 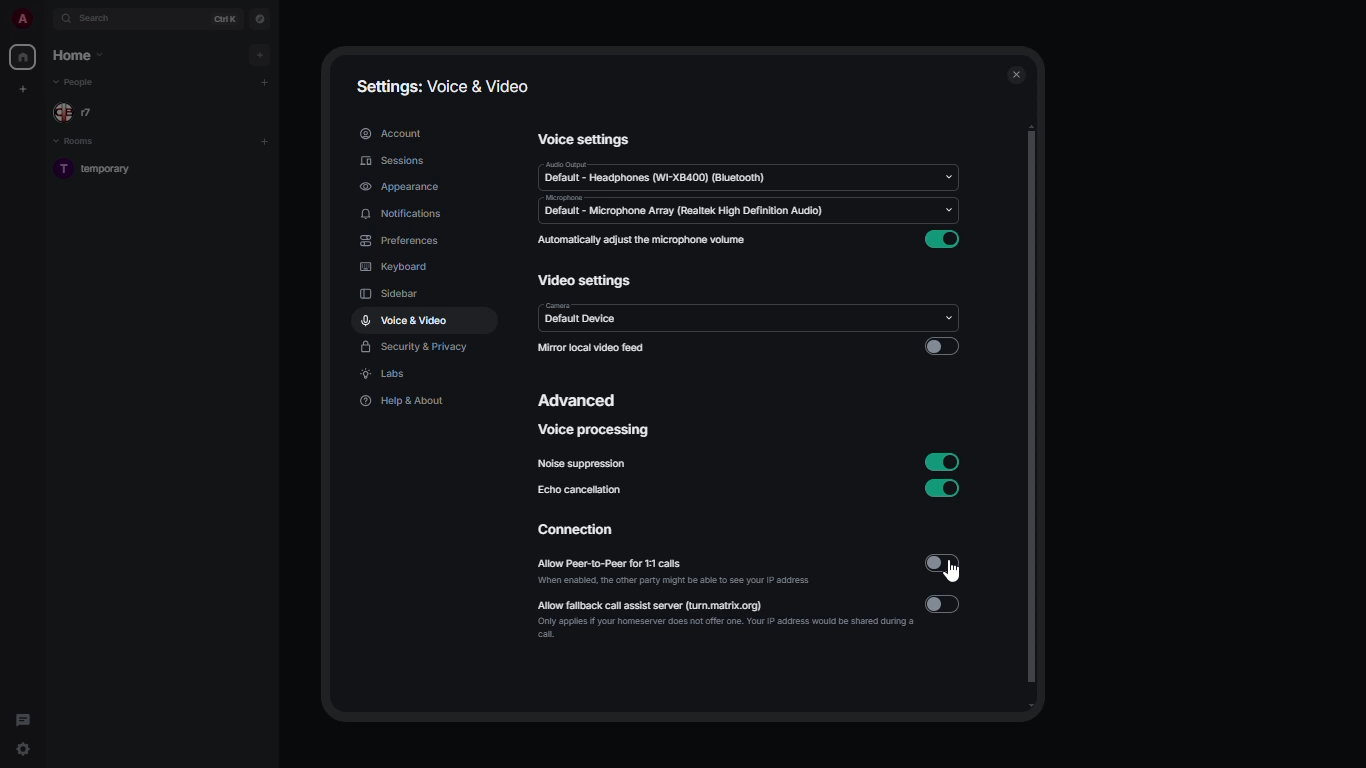 I want to click on security & privacy, so click(x=415, y=347).